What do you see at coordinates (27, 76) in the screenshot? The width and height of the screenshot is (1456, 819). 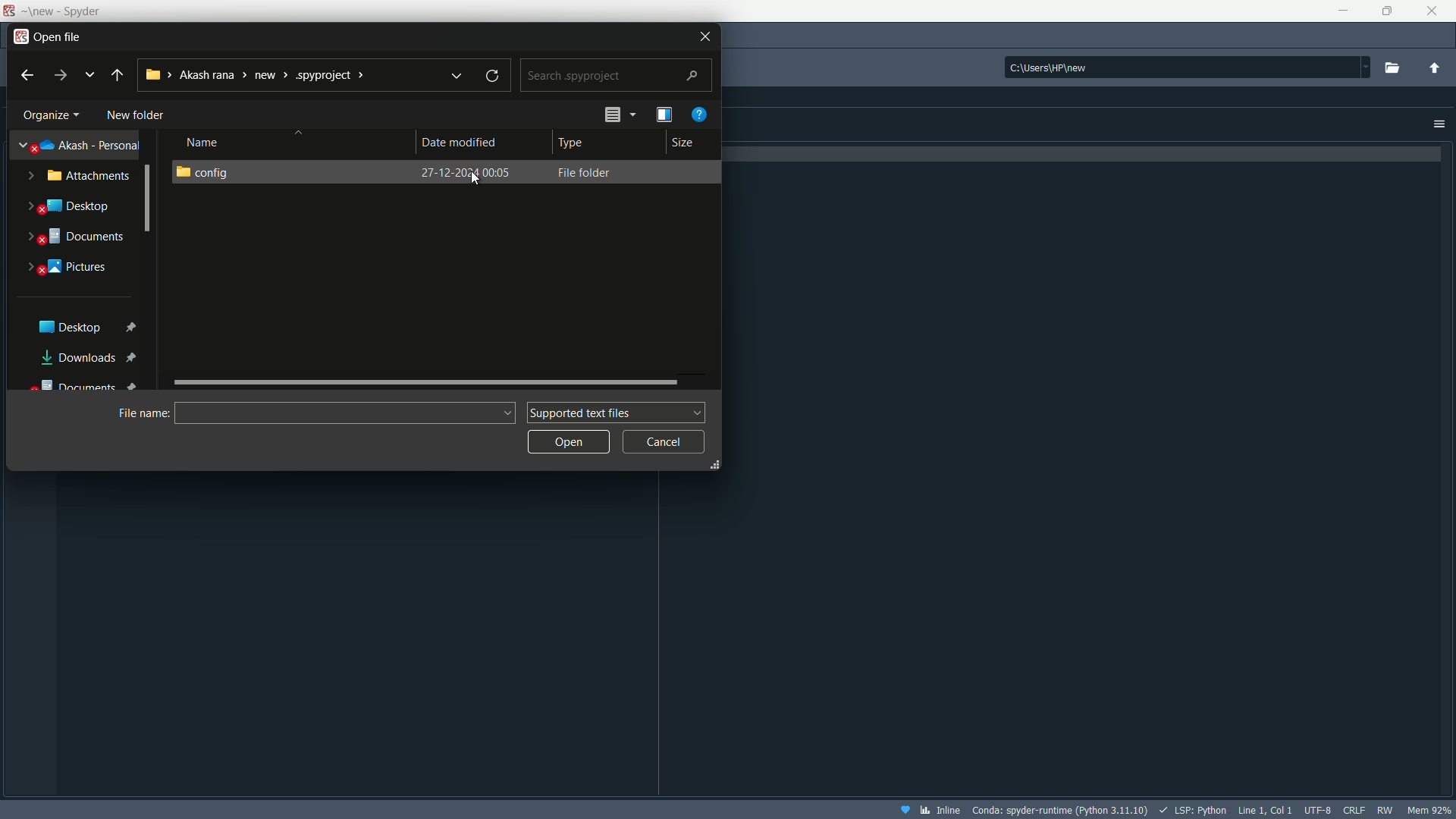 I see `back` at bounding box center [27, 76].